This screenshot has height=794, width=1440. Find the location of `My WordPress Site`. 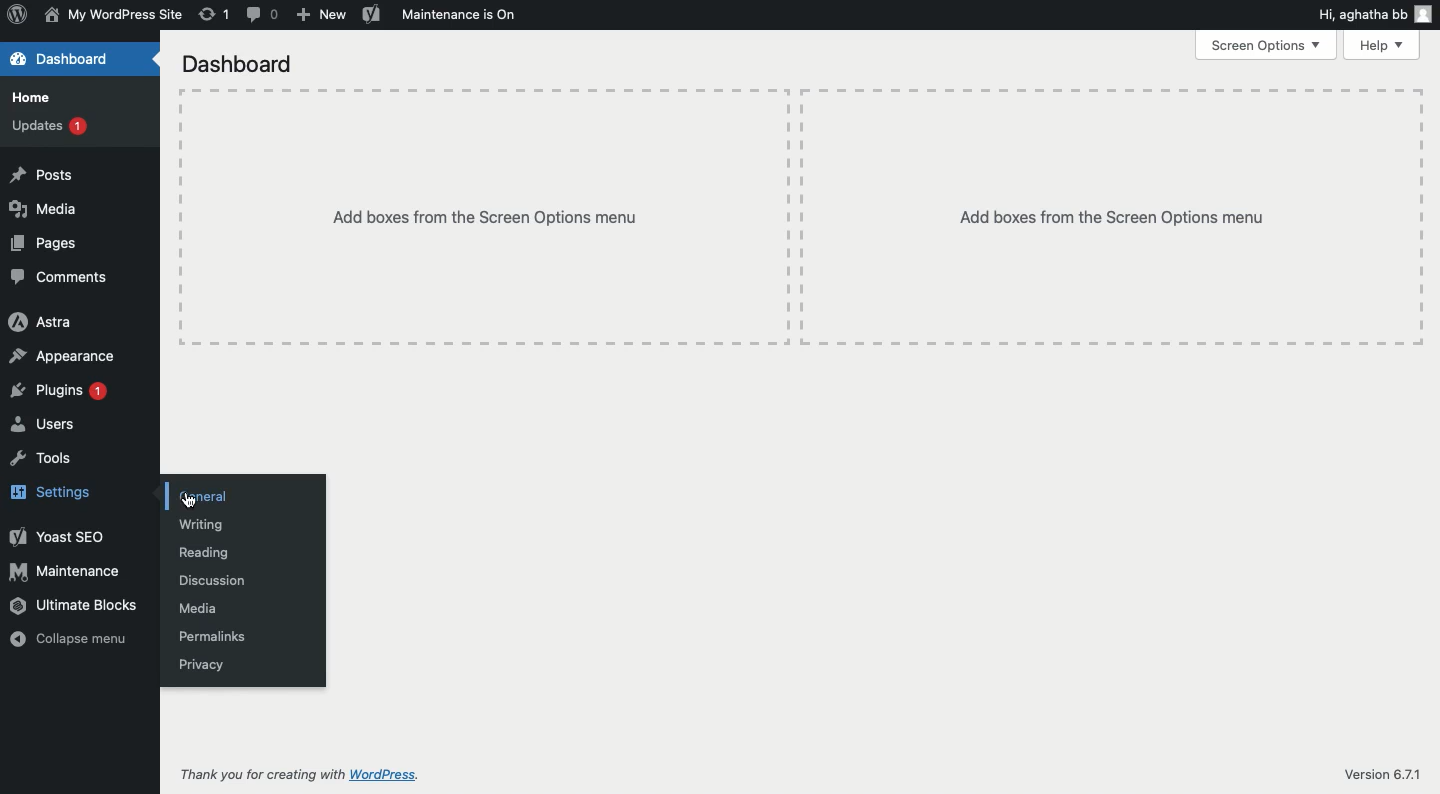

My WordPress Site is located at coordinates (111, 14).